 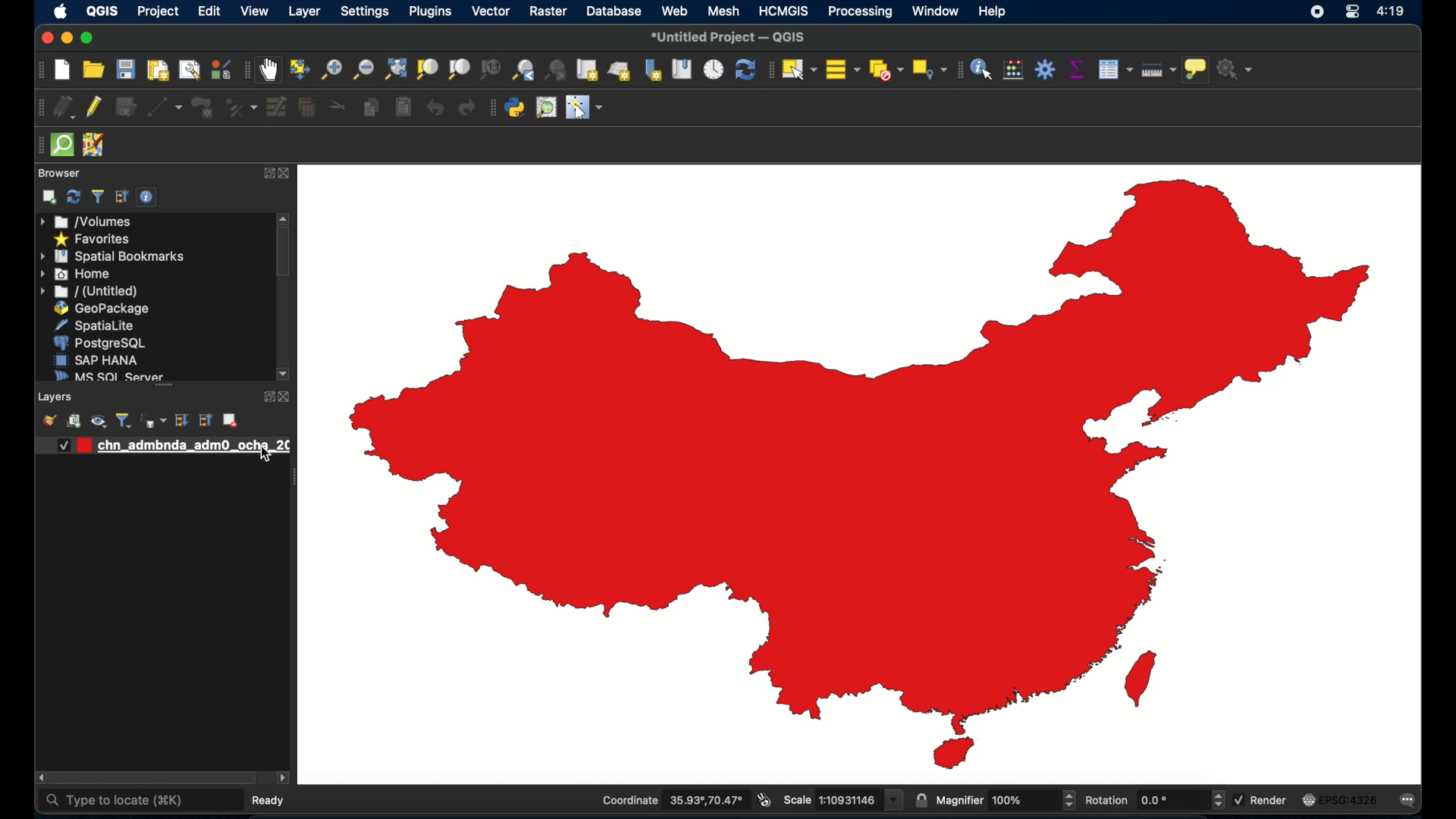 I want to click on map navigation toolbar, so click(x=246, y=71).